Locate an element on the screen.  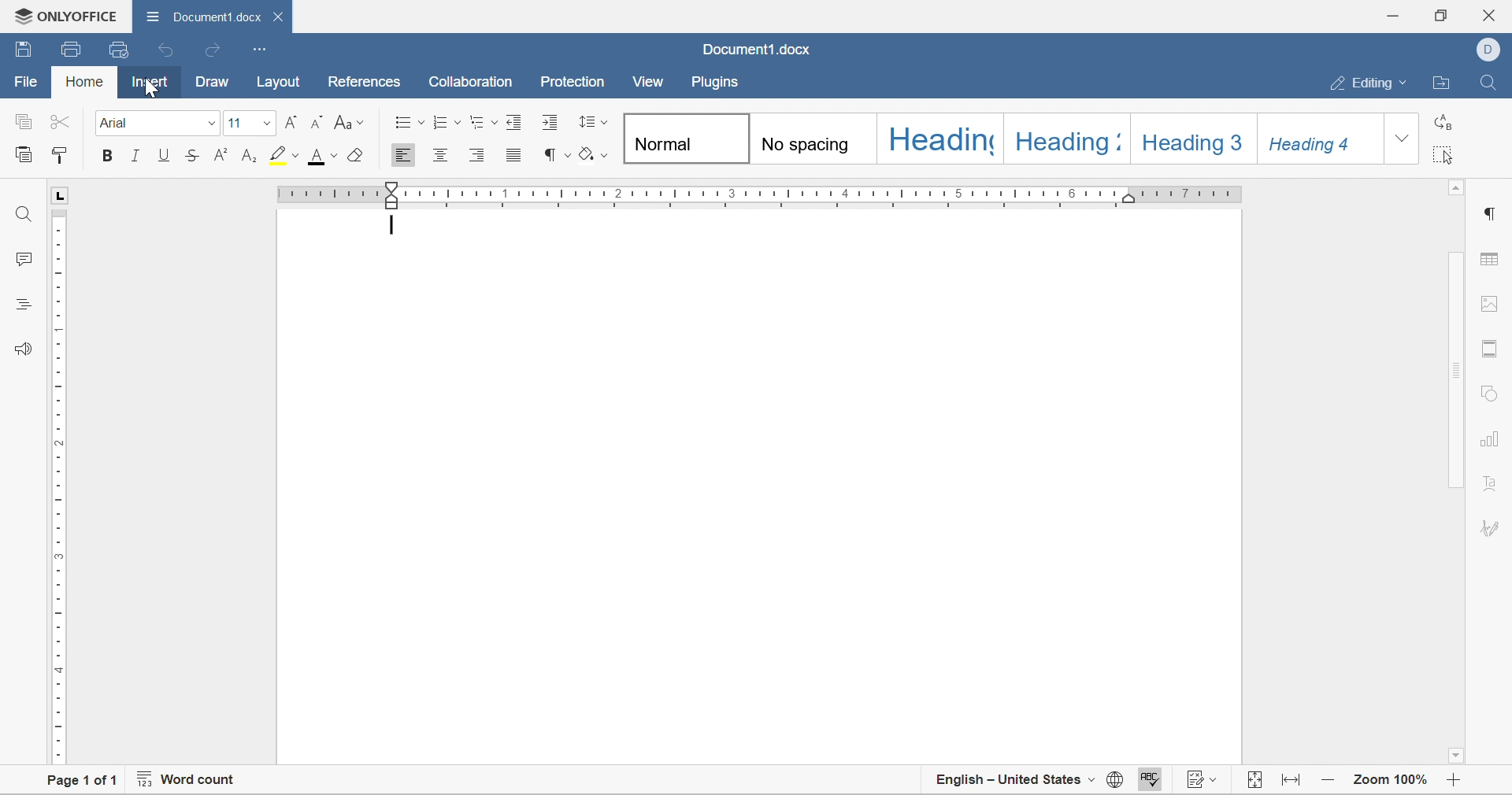
Comments is located at coordinates (25, 259).